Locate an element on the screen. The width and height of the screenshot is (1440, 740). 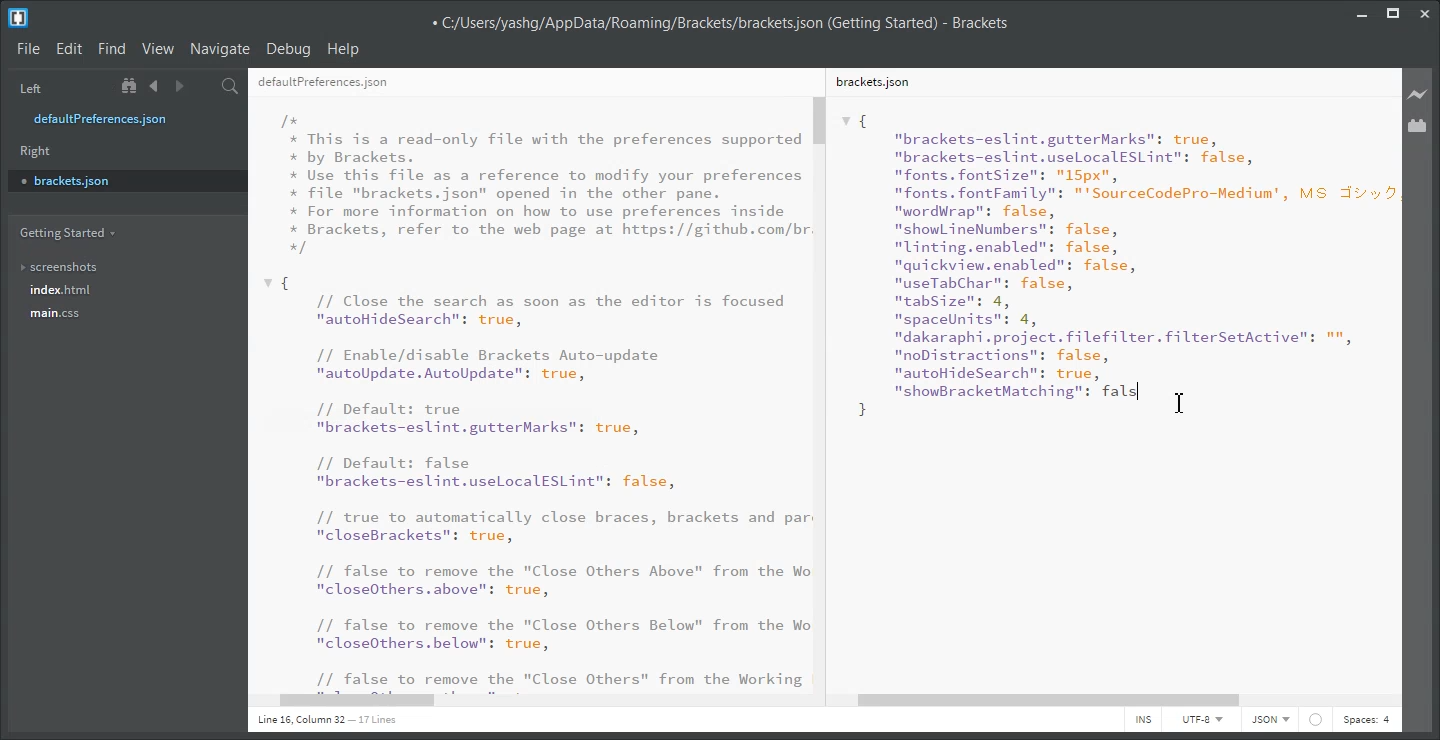
View is located at coordinates (158, 49).